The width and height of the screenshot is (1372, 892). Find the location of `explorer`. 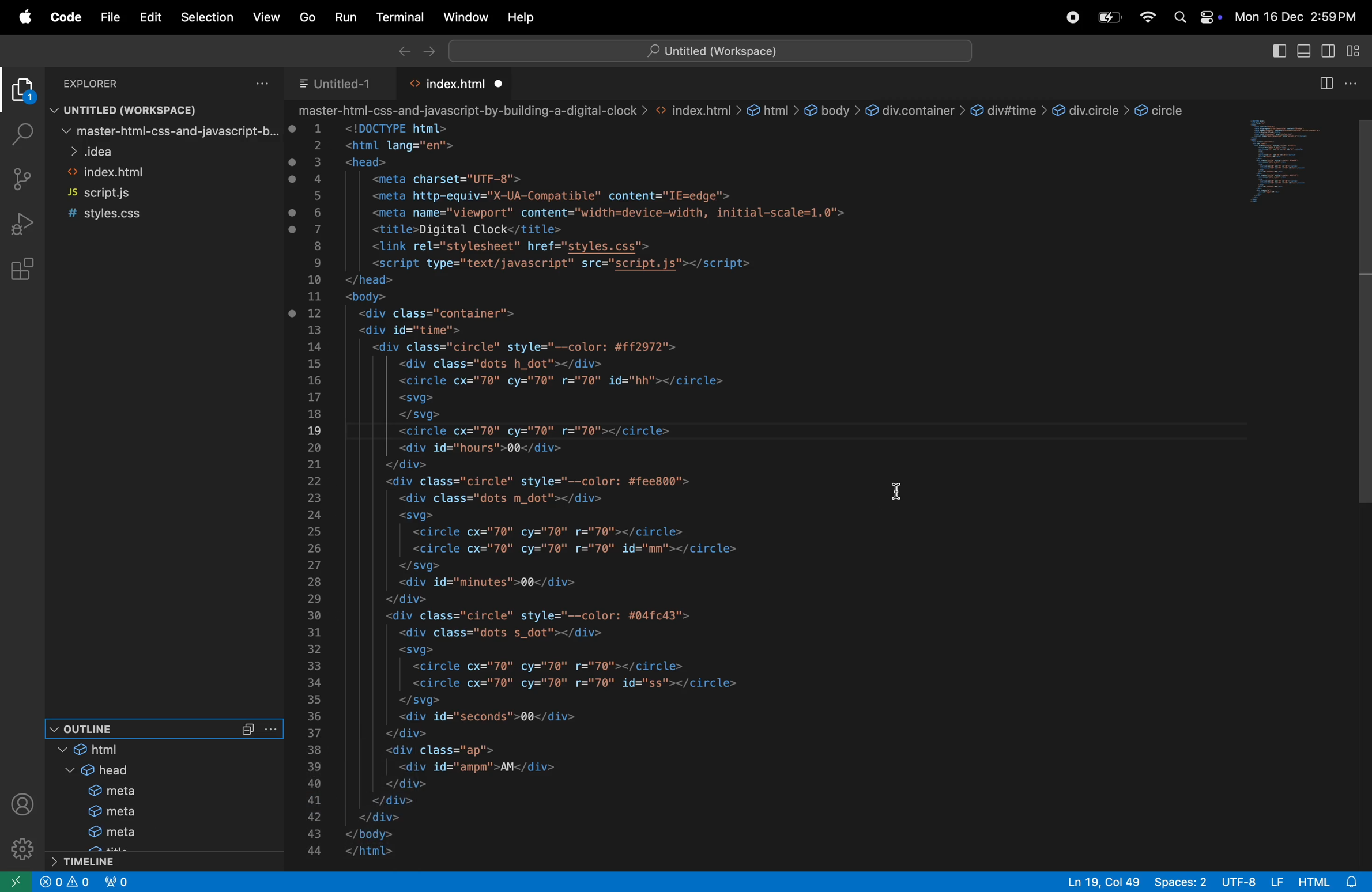

explorer is located at coordinates (22, 92).